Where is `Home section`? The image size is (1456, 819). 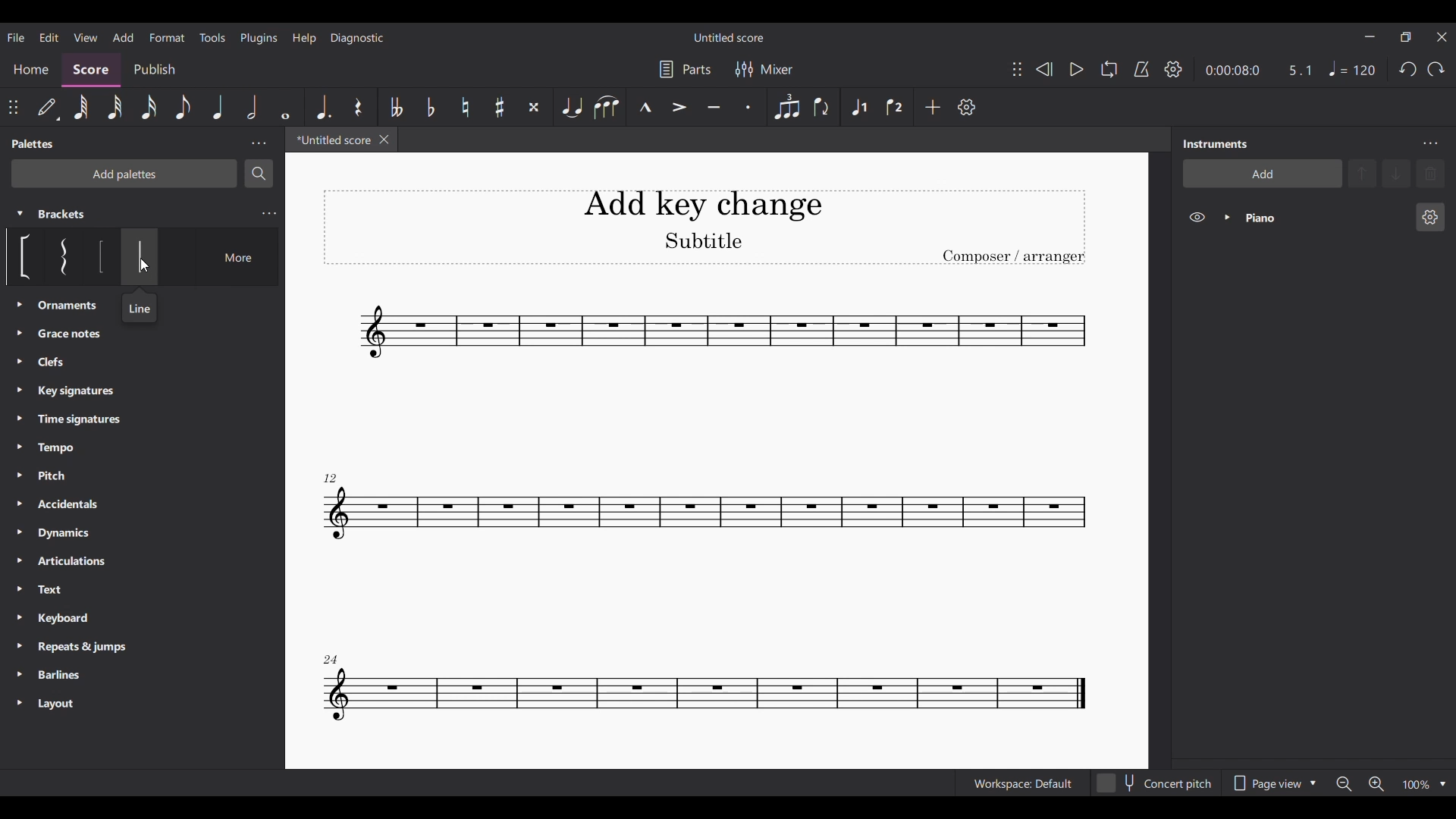 Home section is located at coordinates (32, 69).